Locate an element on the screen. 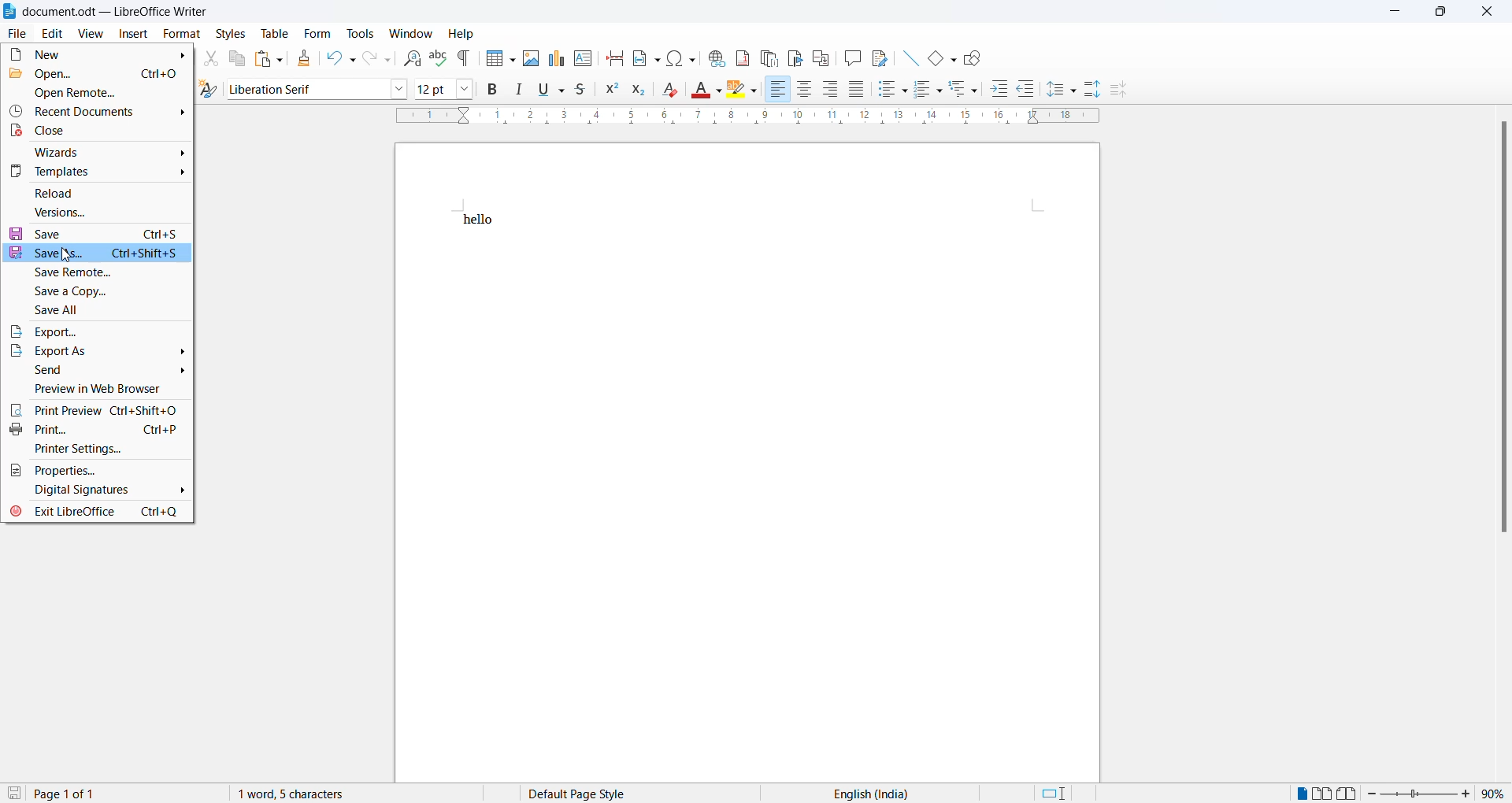  Insert chart is located at coordinates (554, 58).